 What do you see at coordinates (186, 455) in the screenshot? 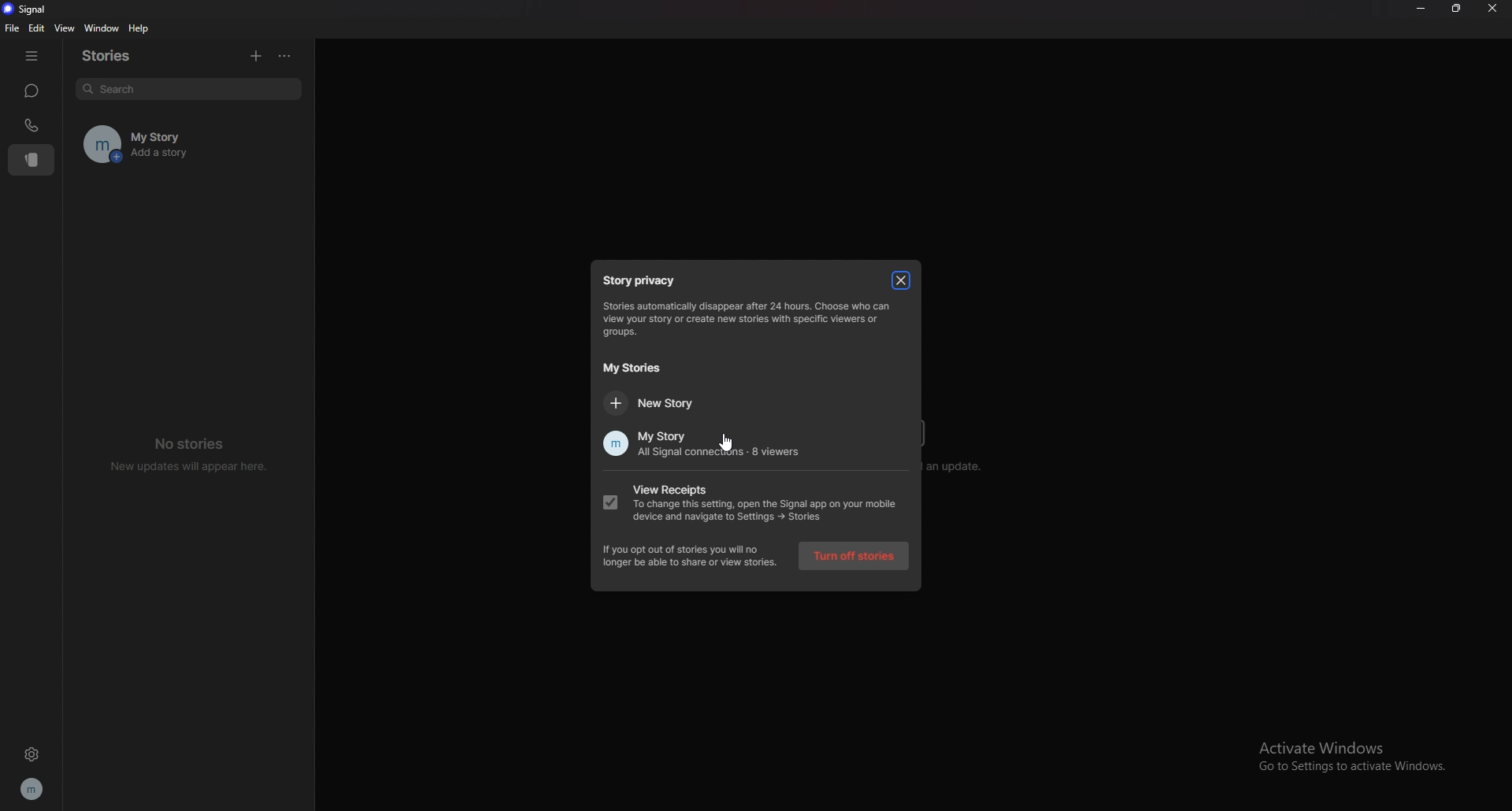
I see `no stories new updates will appear here` at bounding box center [186, 455].